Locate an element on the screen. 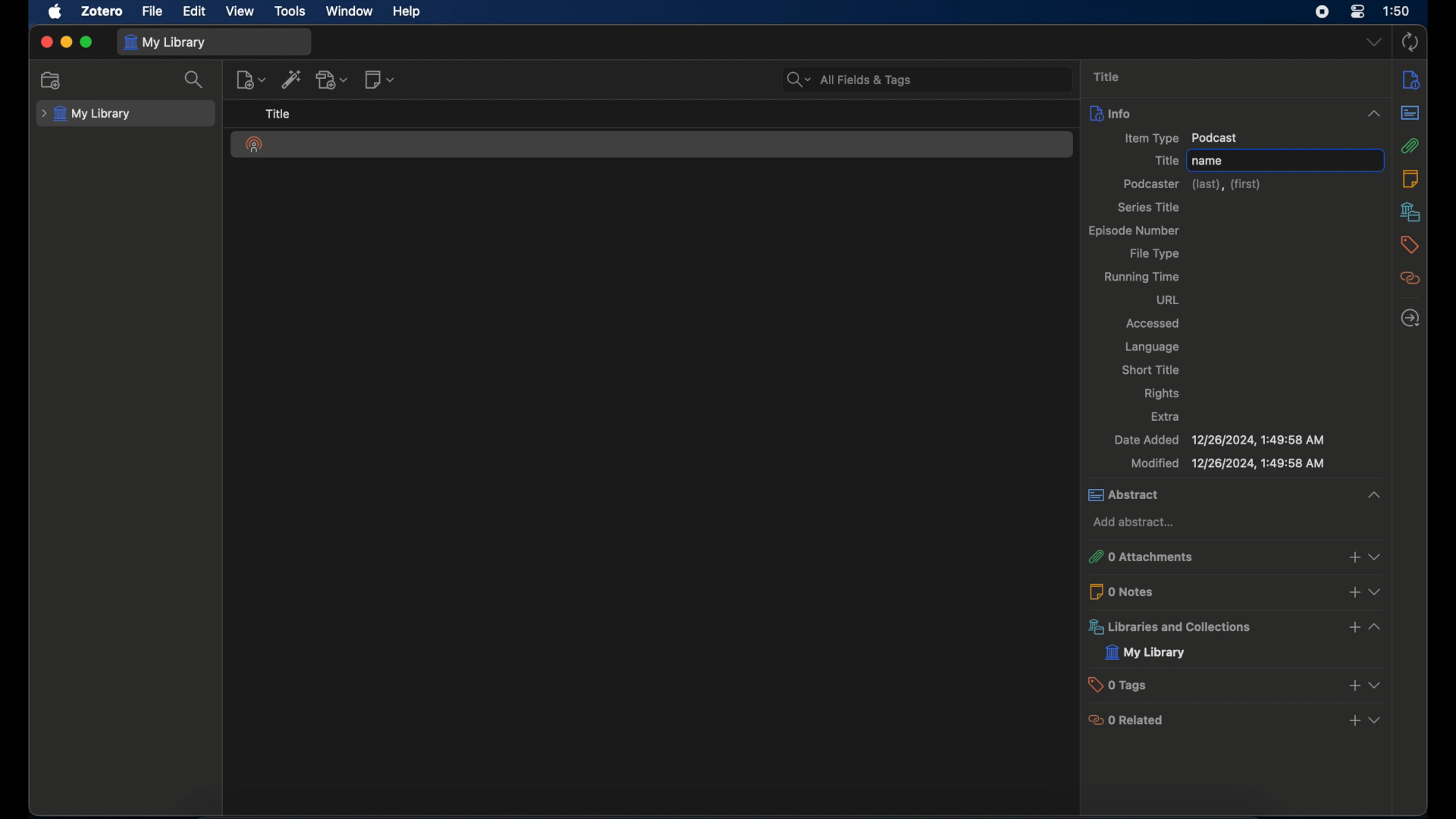 The height and width of the screenshot is (819, 1456). abstract is located at coordinates (1235, 496).